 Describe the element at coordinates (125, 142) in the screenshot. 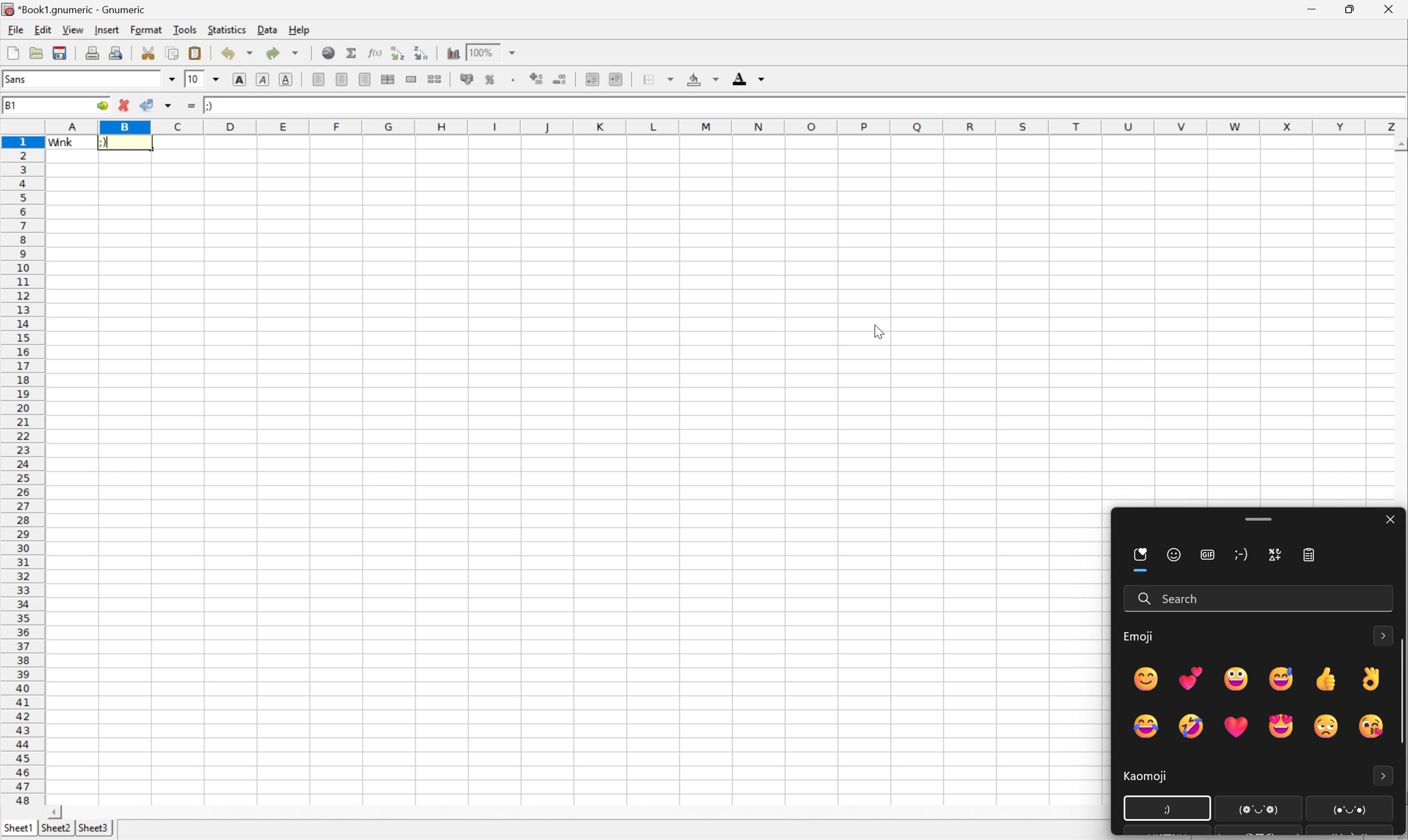

I see `kaomoji` at that location.